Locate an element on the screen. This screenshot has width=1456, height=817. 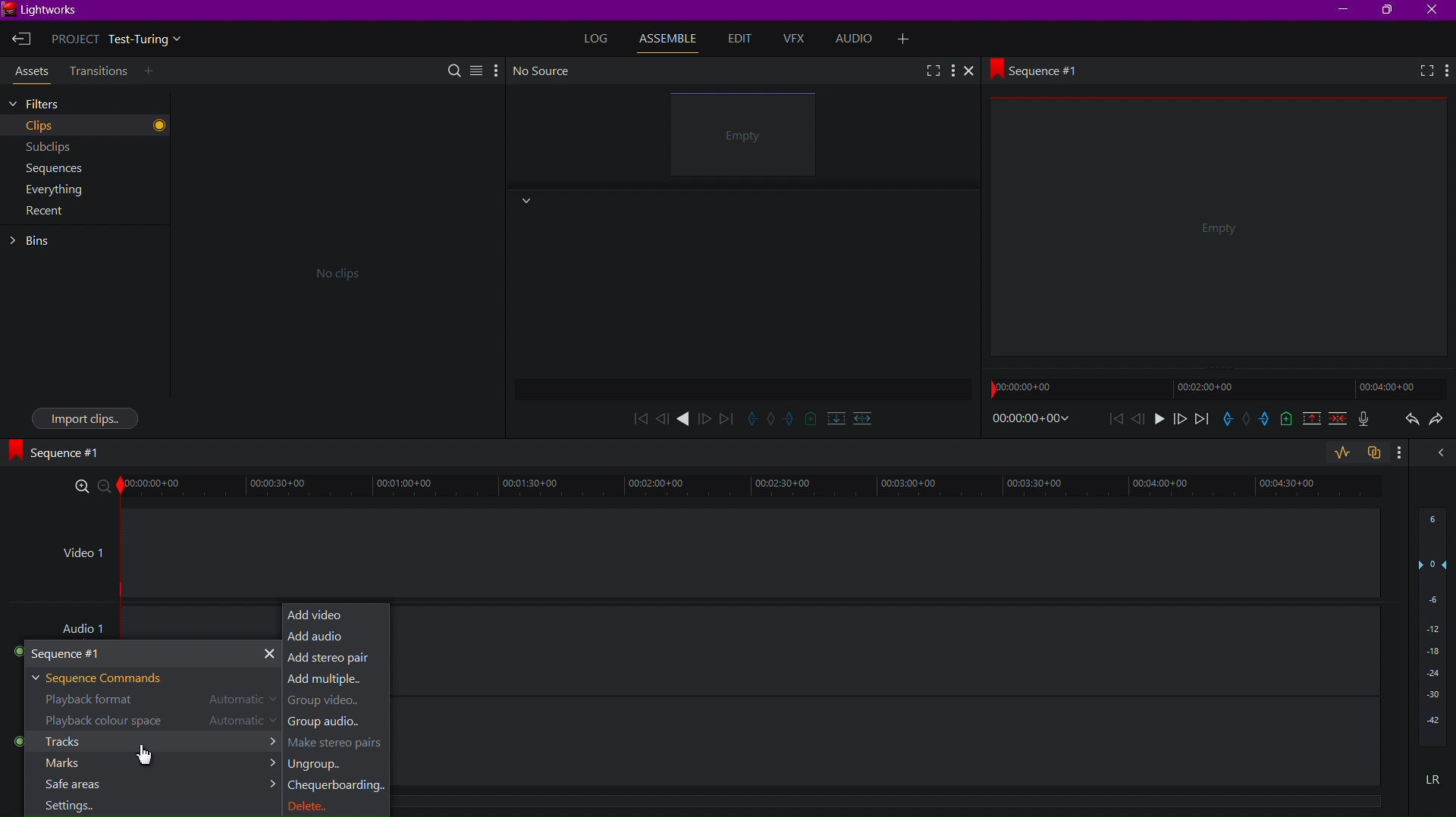
play is located at coordinates (685, 419).